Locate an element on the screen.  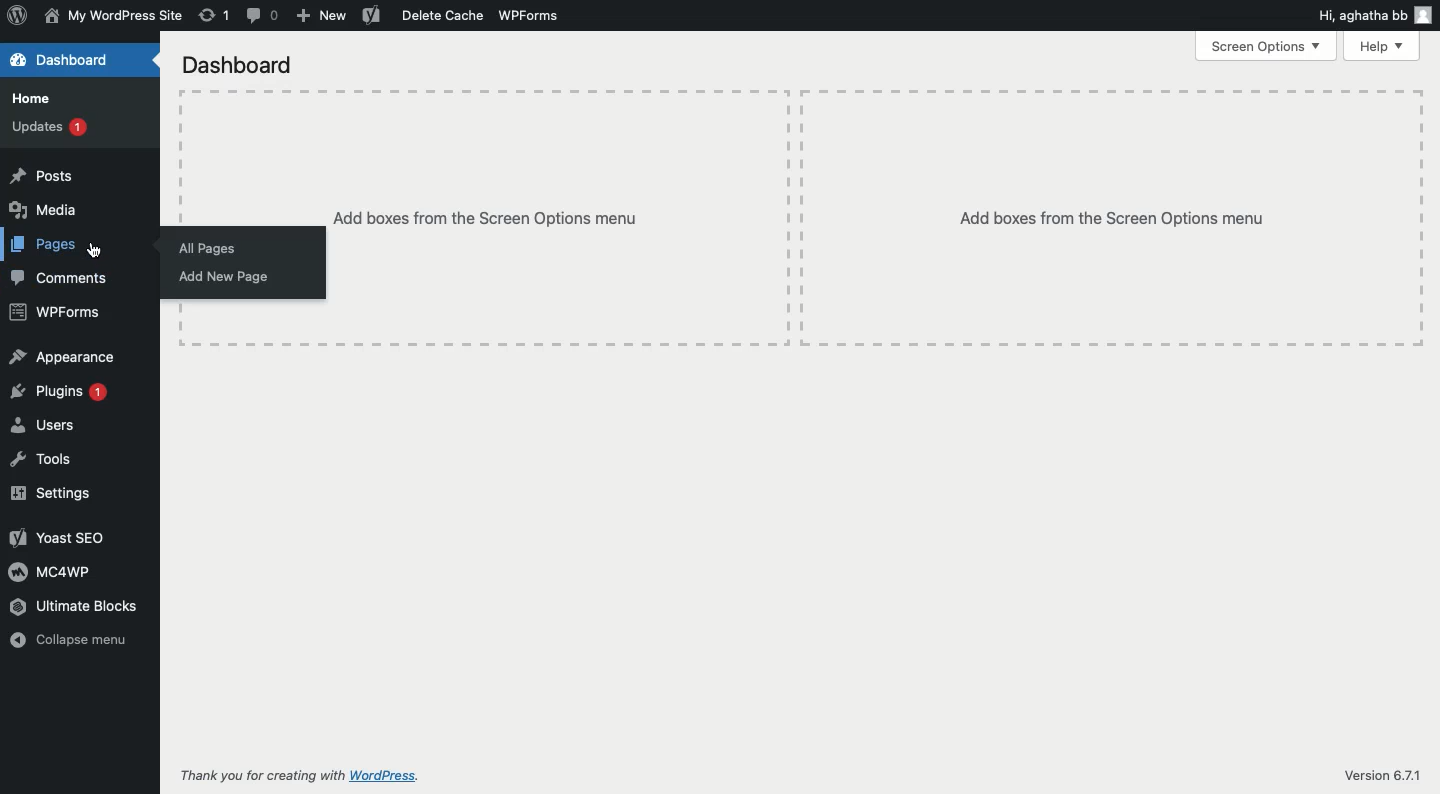
Home is located at coordinates (31, 98).